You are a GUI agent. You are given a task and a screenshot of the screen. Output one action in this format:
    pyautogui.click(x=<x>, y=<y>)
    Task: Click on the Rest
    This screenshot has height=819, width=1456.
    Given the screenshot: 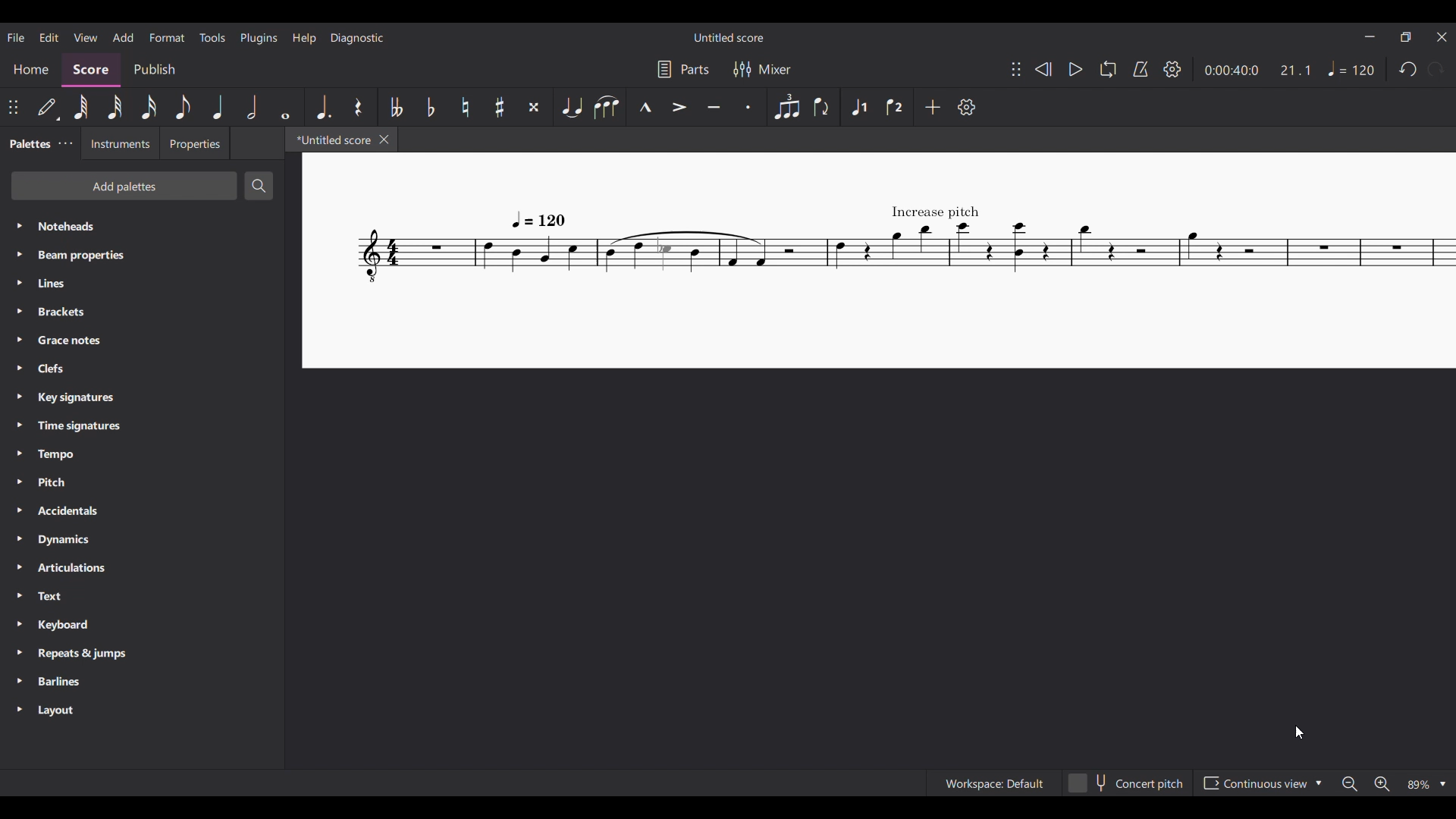 What is the action you would take?
    pyautogui.click(x=359, y=107)
    